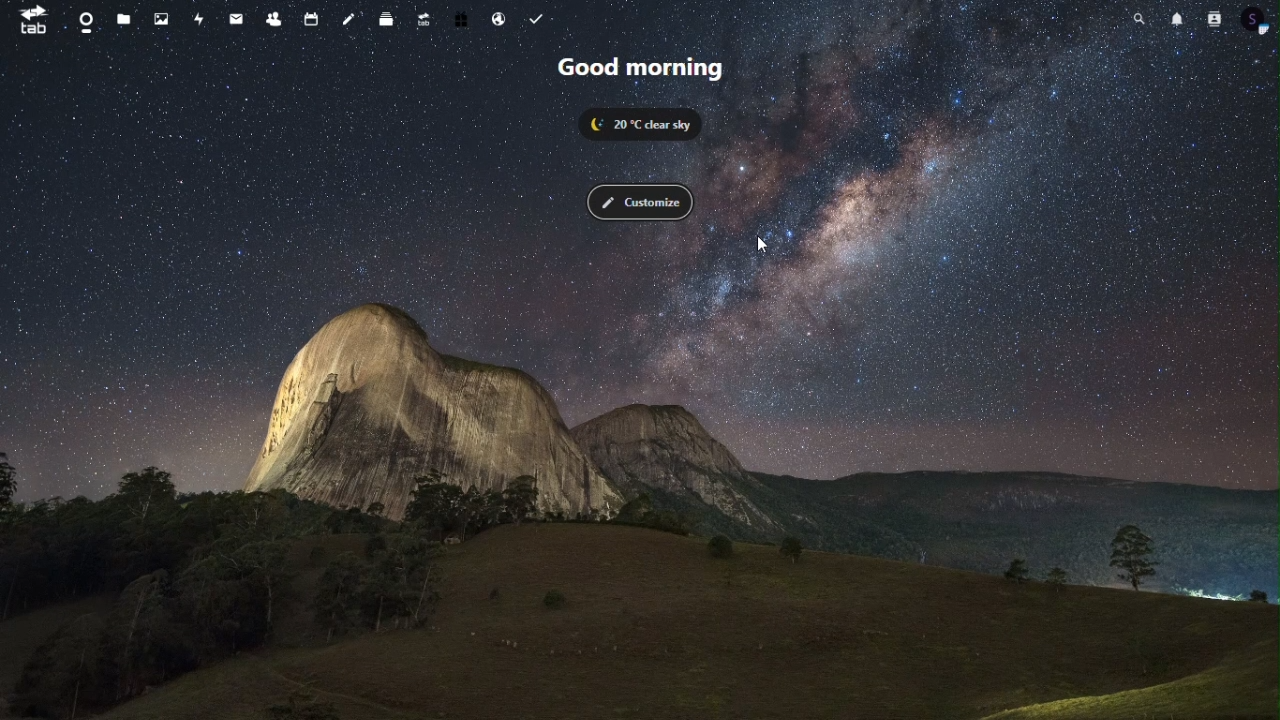  What do you see at coordinates (238, 20) in the screenshot?
I see `message` at bounding box center [238, 20].